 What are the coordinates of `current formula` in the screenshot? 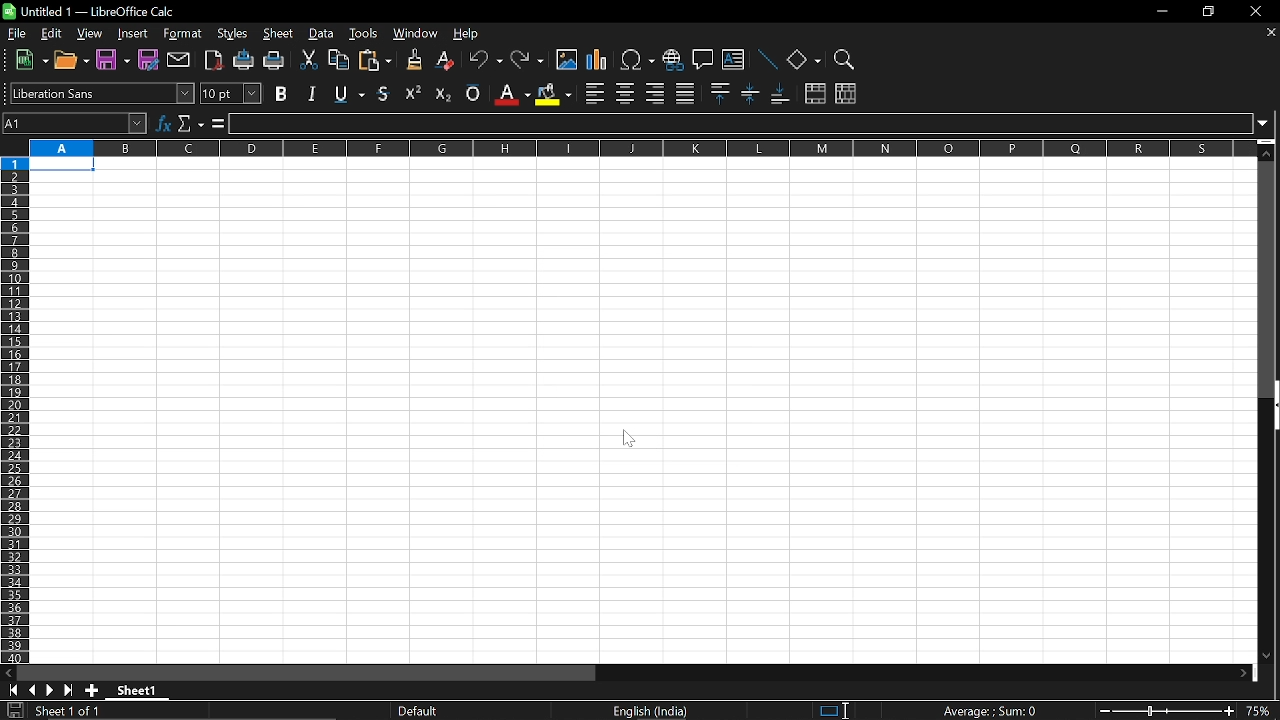 It's located at (990, 711).